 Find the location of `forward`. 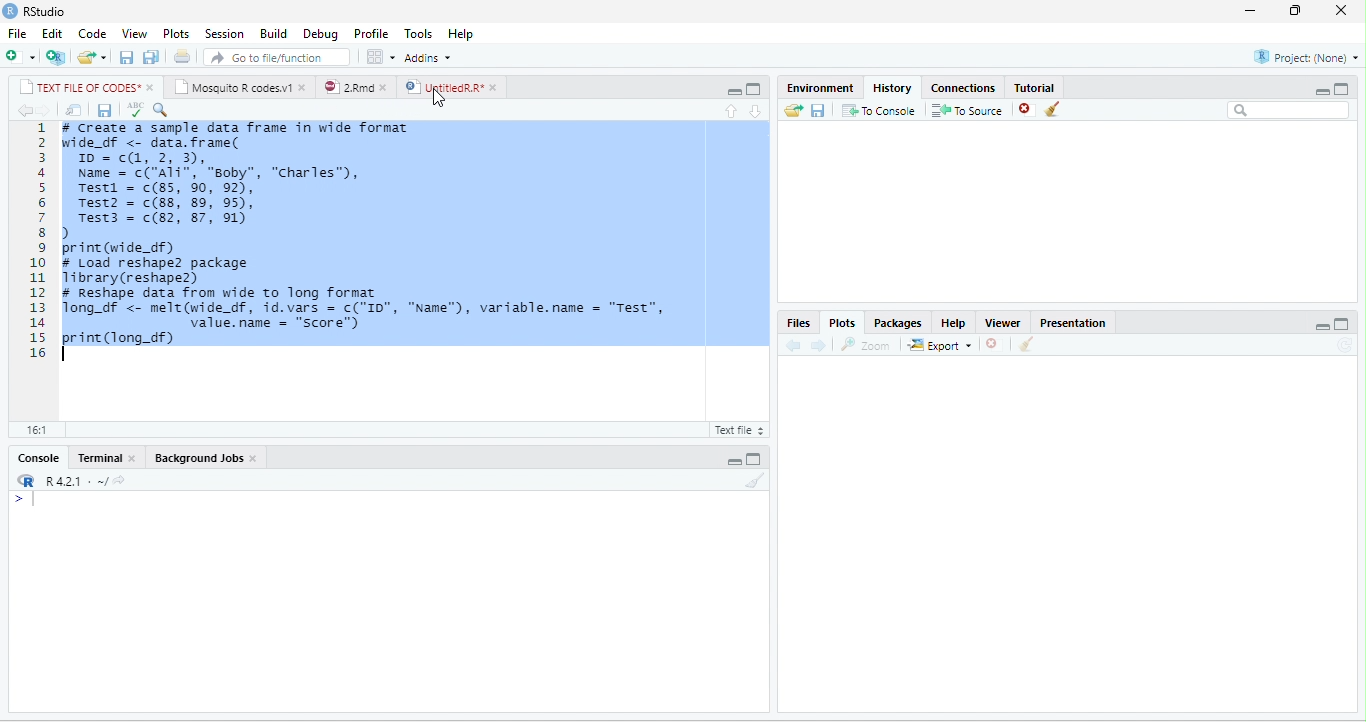

forward is located at coordinates (819, 345).